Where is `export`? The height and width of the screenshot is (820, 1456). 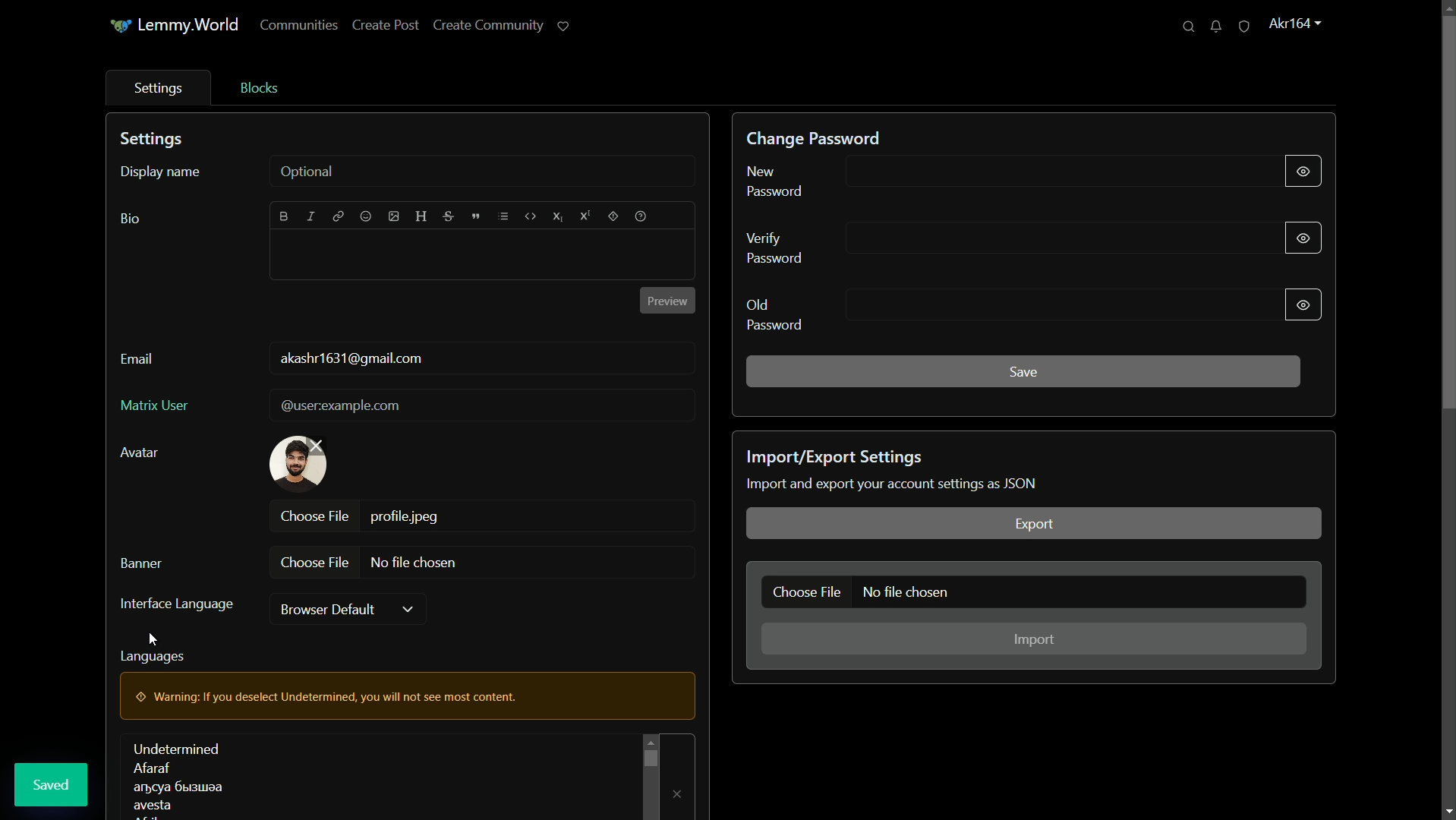
export is located at coordinates (1032, 524).